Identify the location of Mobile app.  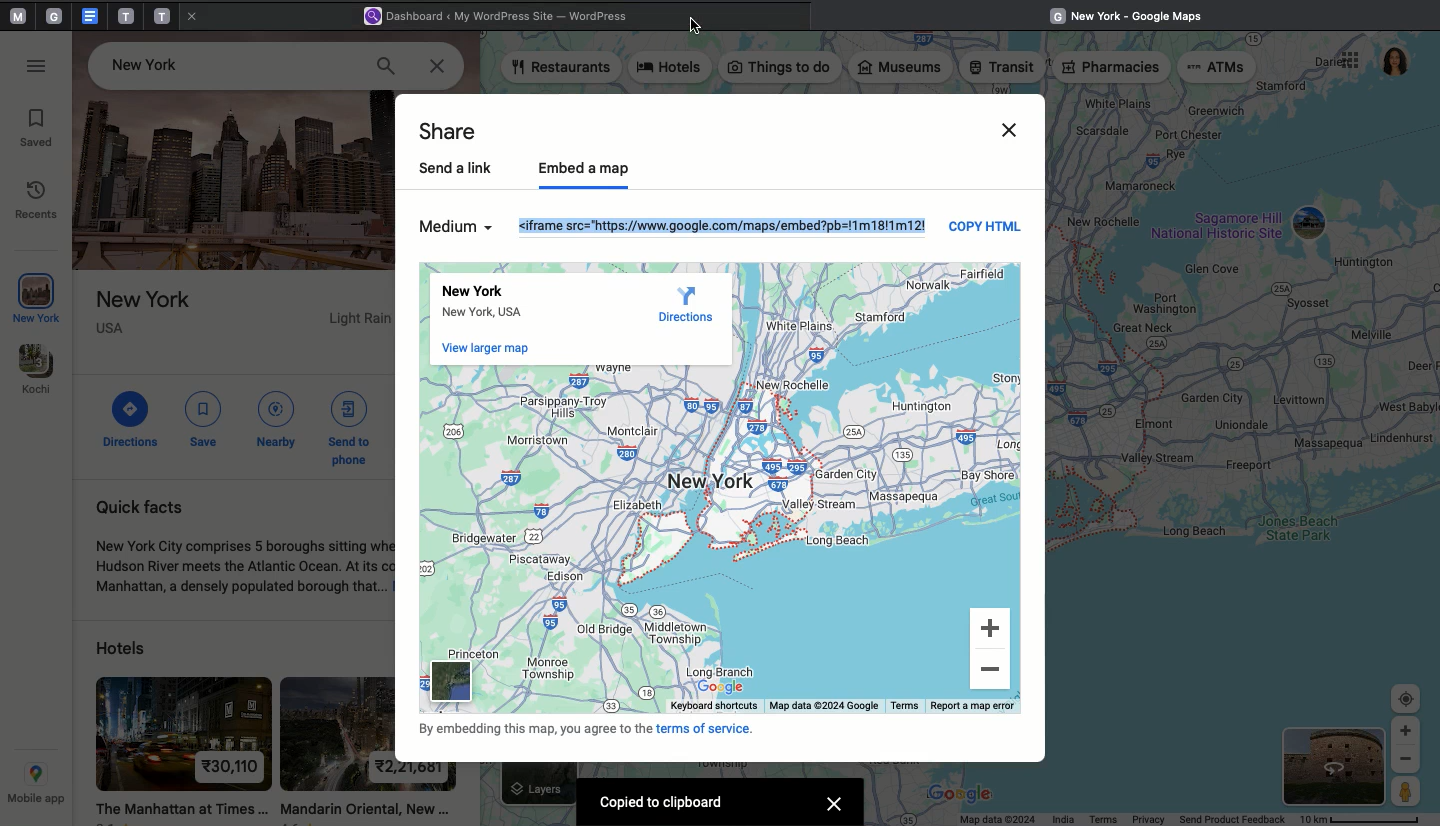
(35, 785).